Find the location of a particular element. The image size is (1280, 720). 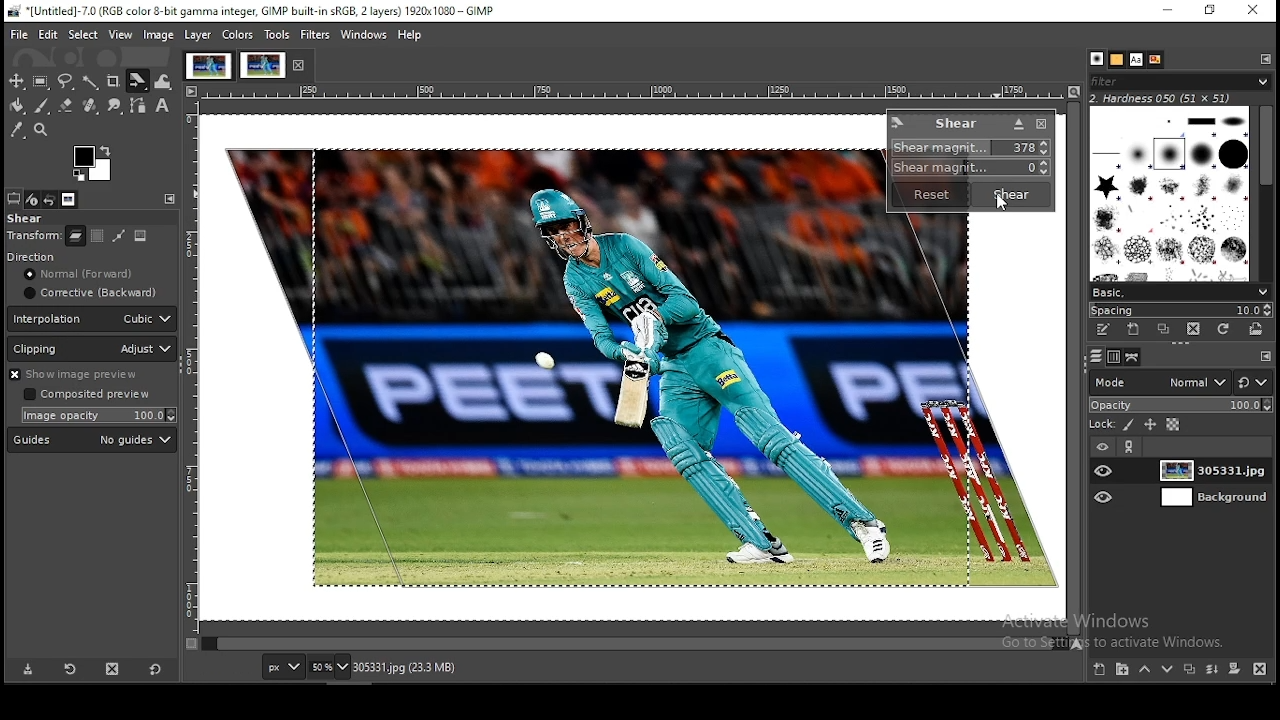

filters is located at coordinates (314, 35).